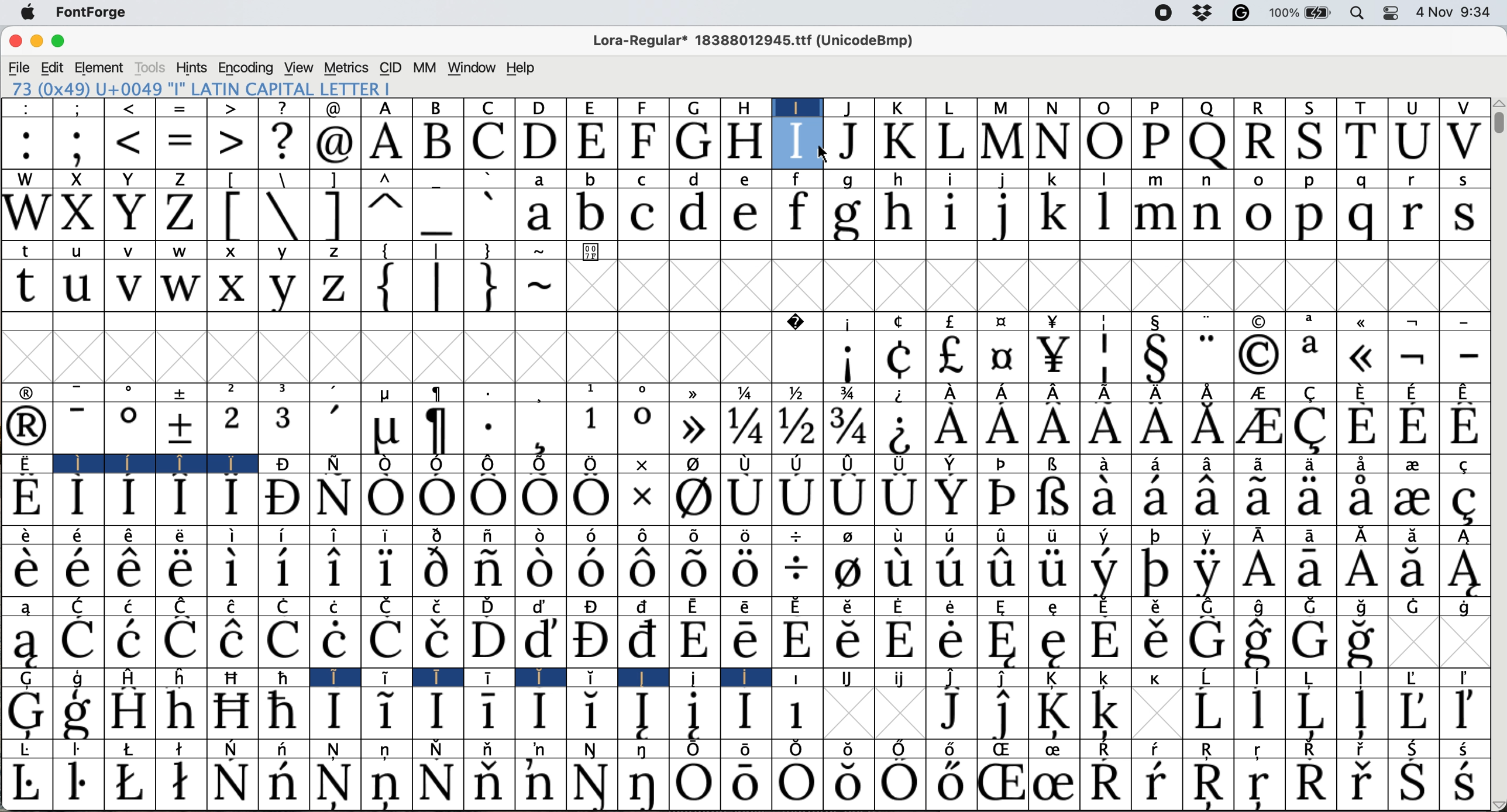 The image size is (1507, 812). I want to click on ;, so click(78, 146).